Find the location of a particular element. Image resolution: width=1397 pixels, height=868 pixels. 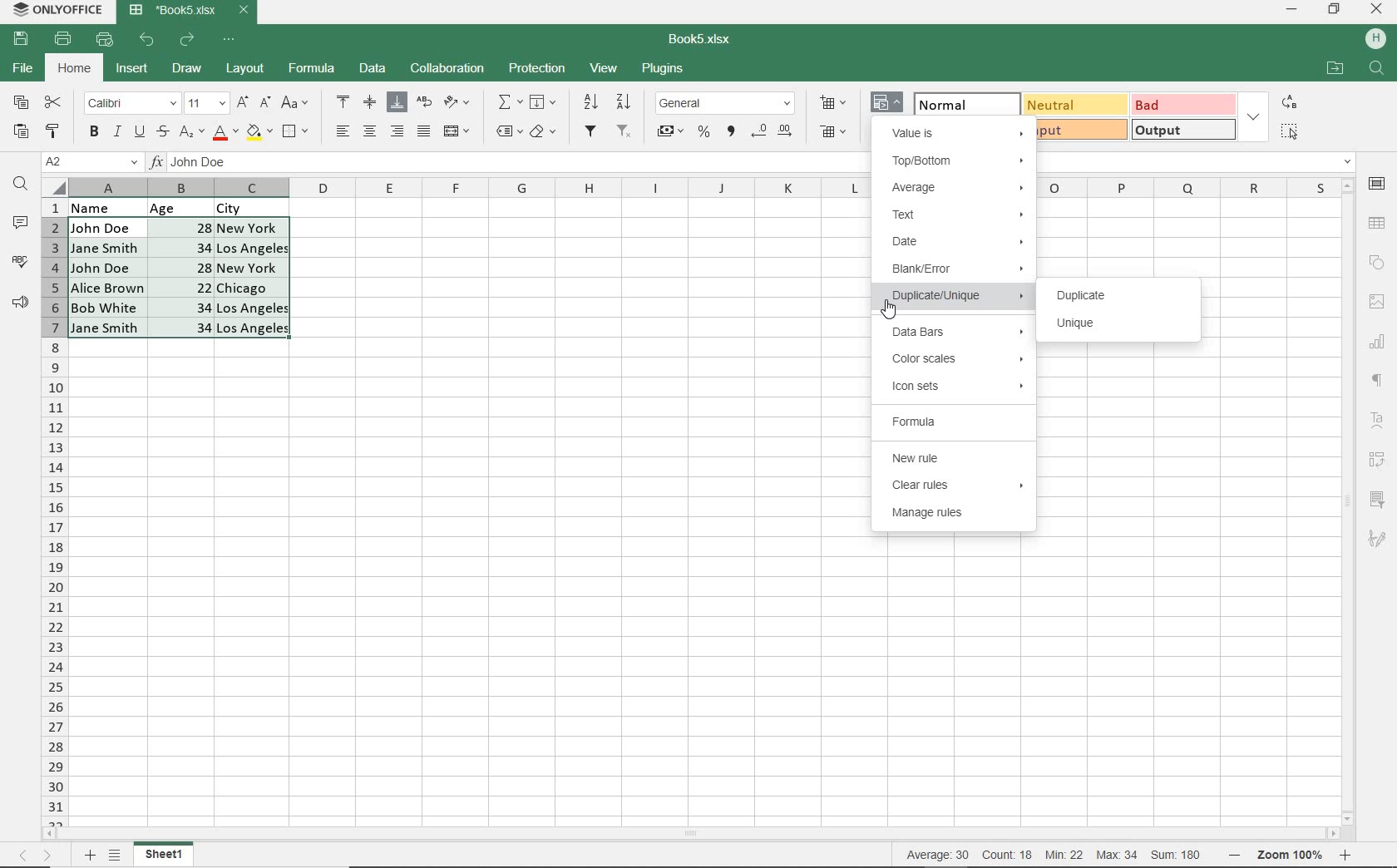

RESTORE DOWN is located at coordinates (1336, 8).